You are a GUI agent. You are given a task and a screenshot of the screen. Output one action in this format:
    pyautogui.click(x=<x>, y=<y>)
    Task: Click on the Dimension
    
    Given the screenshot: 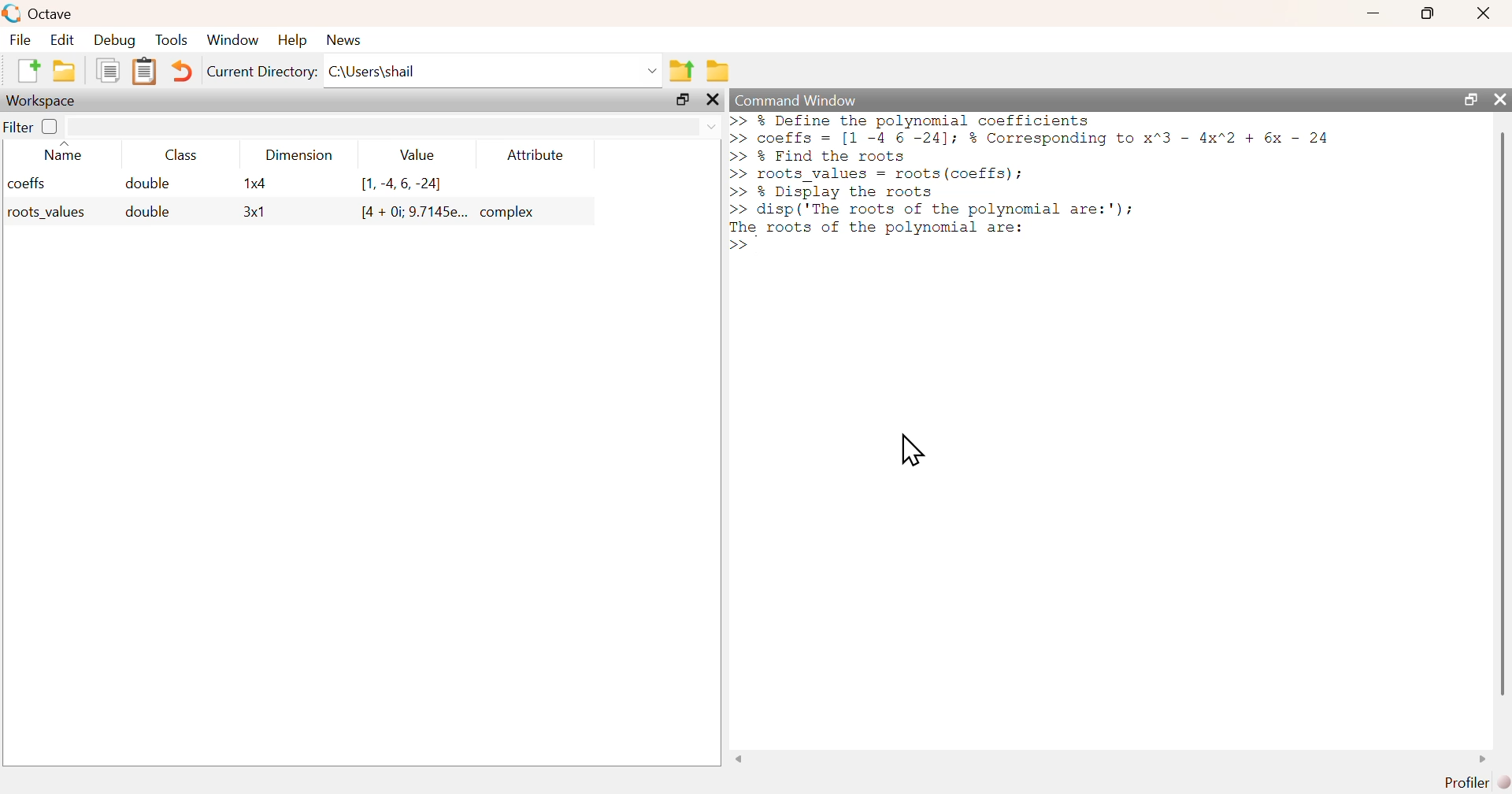 What is the action you would take?
    pyautogui.click(x=295, y=155)
    